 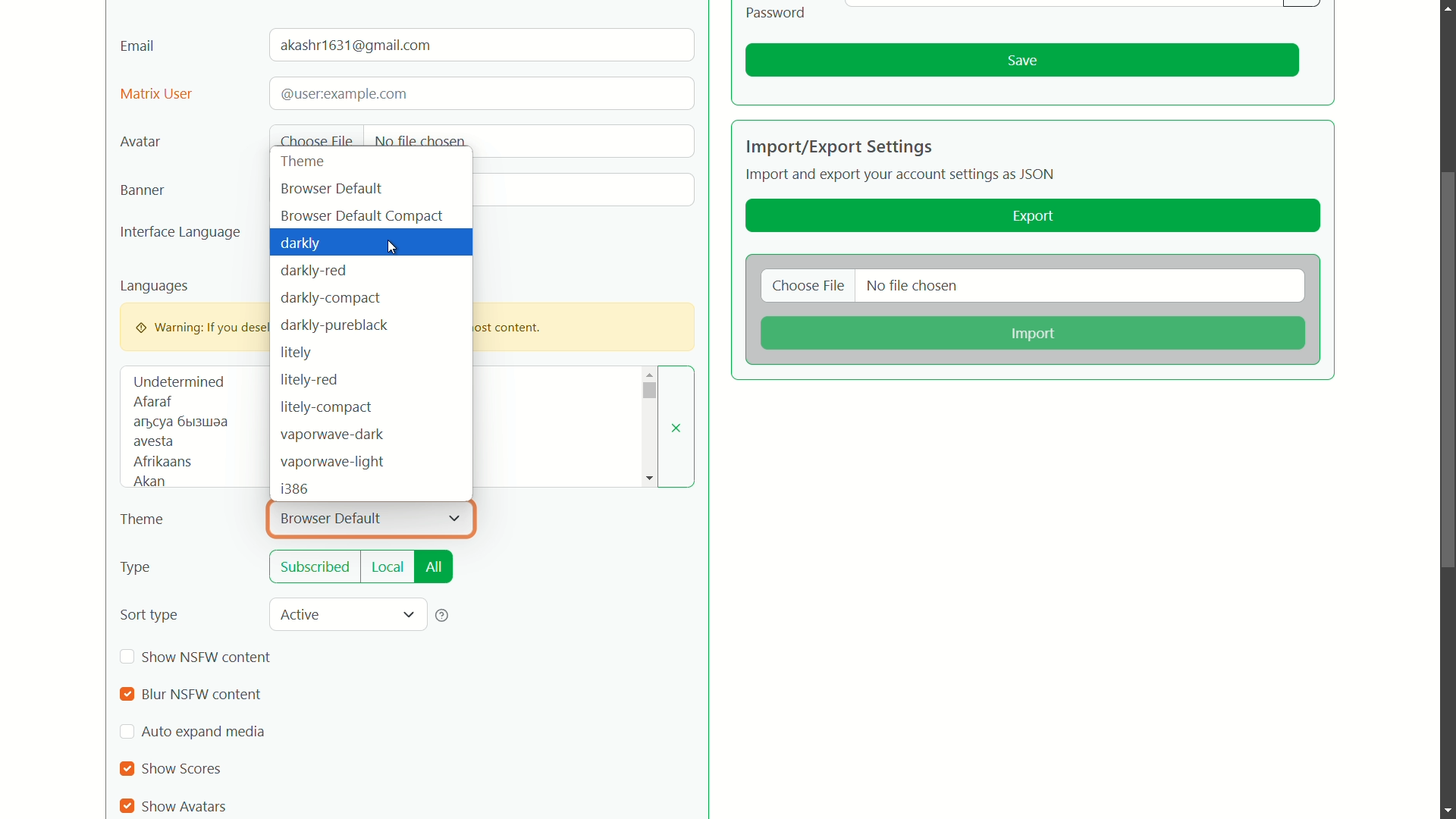 I want to click on banner, so click(x=140, y=190).